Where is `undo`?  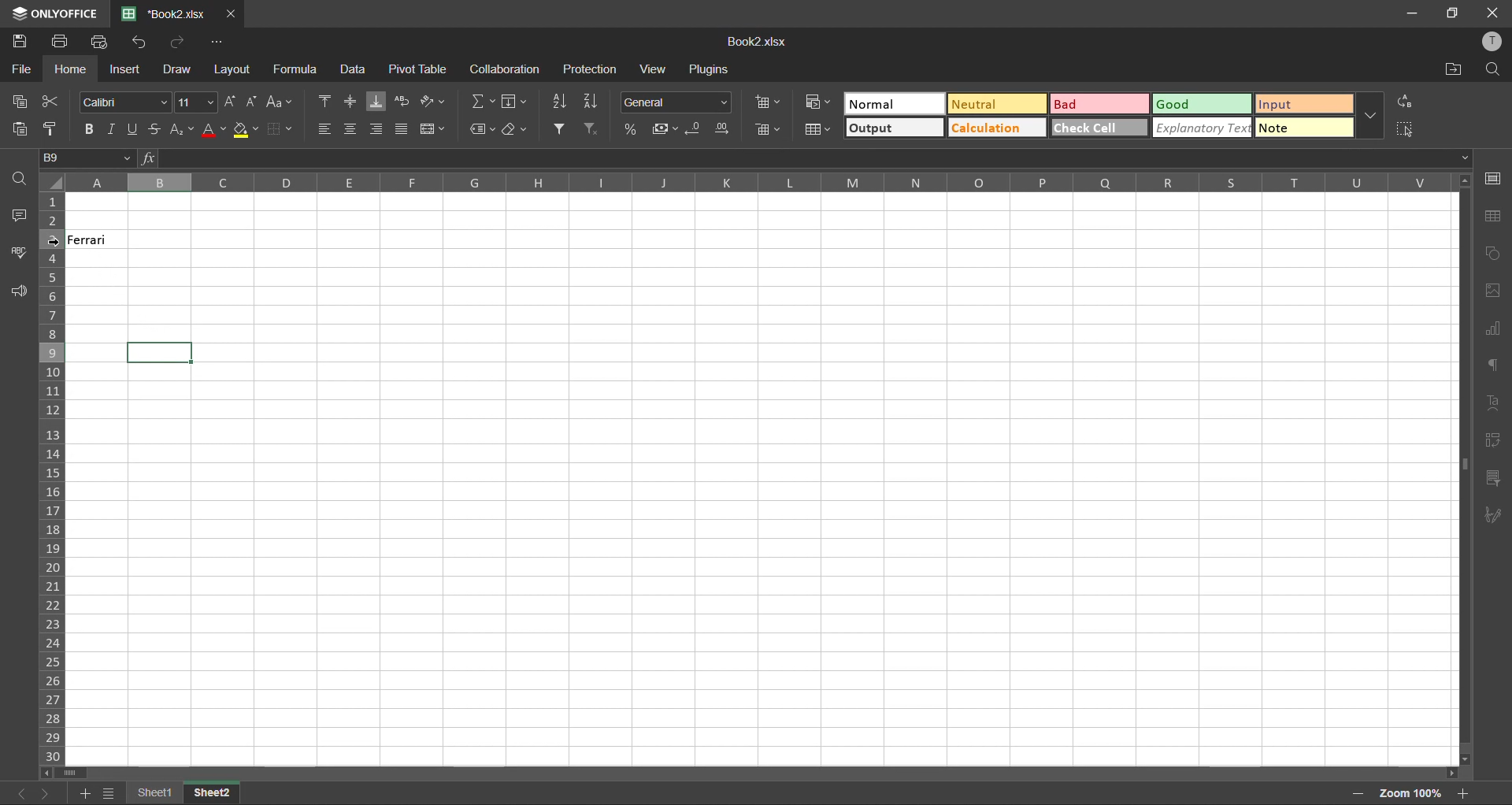
undo is located at coordinates (143, 44).